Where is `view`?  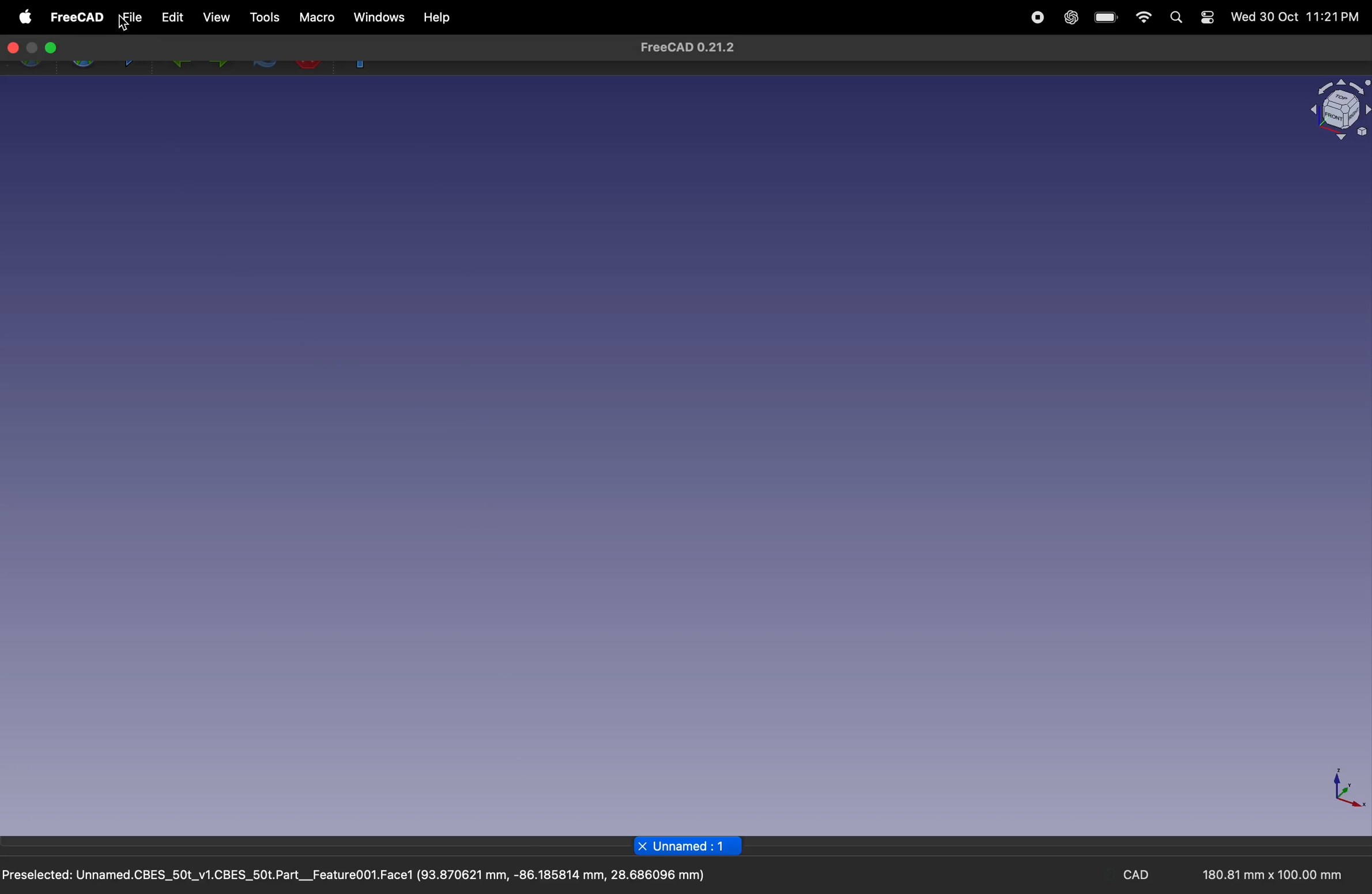 view is located at coordinates (217, 19).